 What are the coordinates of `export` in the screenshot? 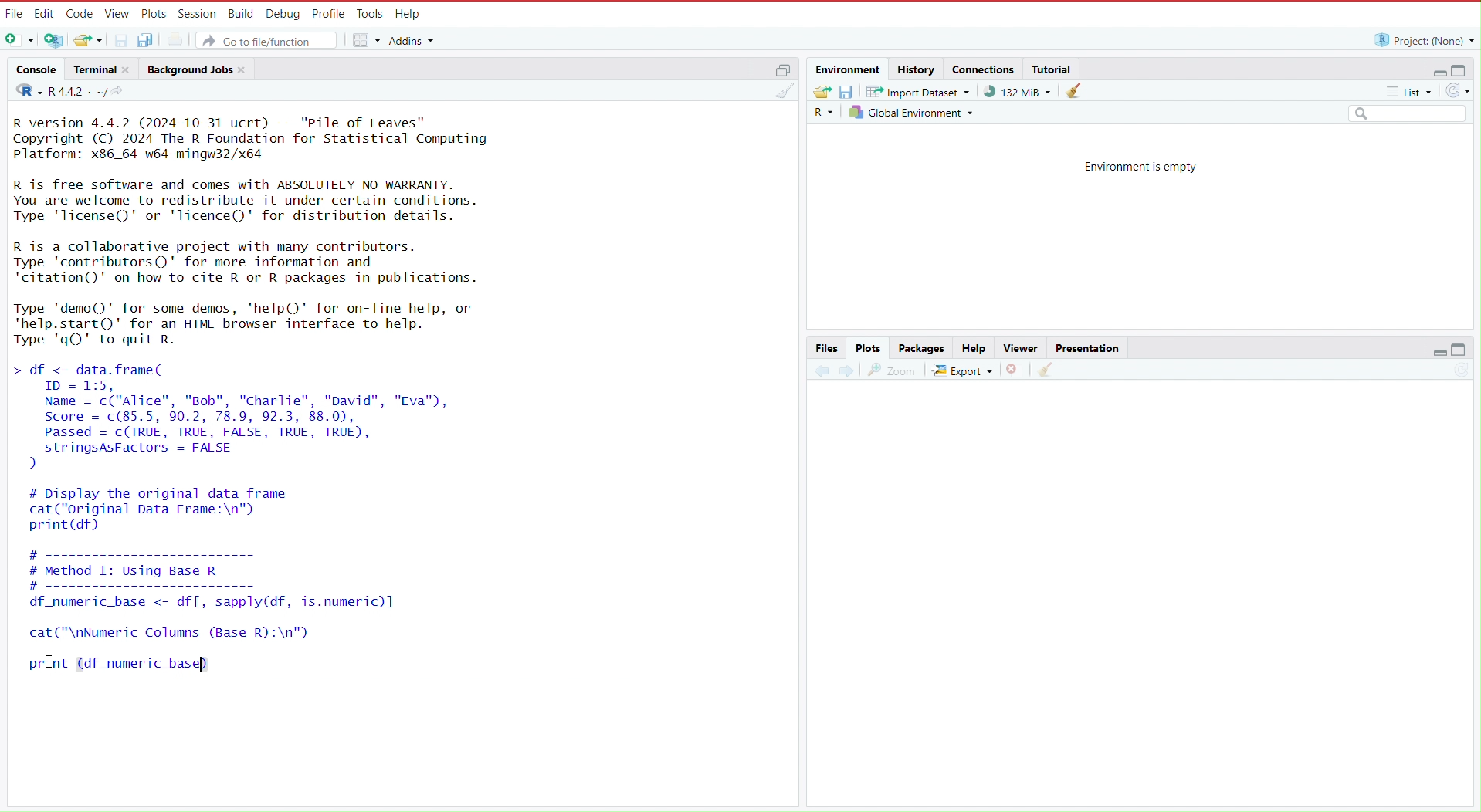 It's located at (963, 370).